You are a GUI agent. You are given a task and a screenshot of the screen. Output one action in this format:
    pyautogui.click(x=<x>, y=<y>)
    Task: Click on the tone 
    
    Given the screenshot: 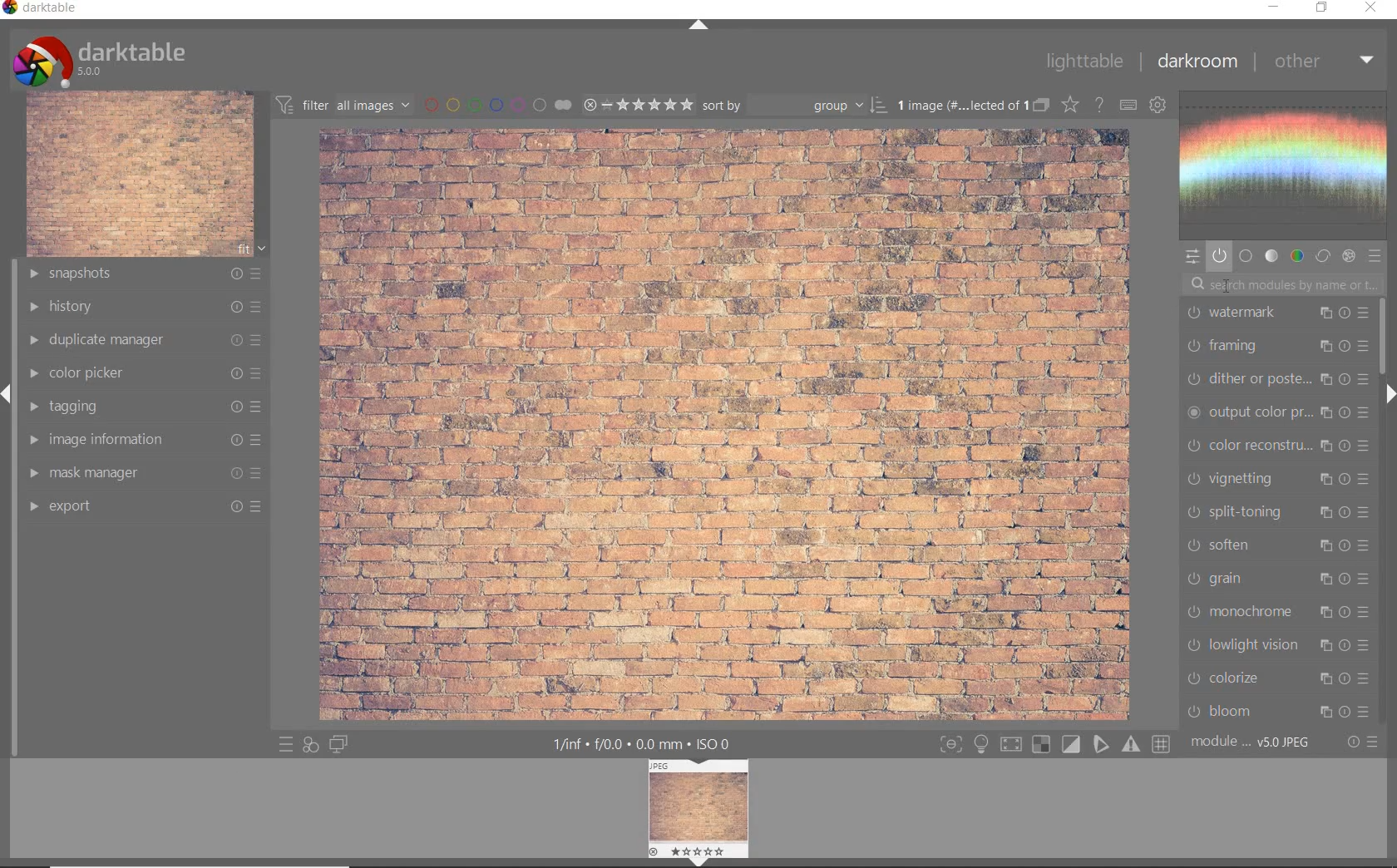 What is the action you would take?
    pyautogui.click(x=1272, y=256)
    